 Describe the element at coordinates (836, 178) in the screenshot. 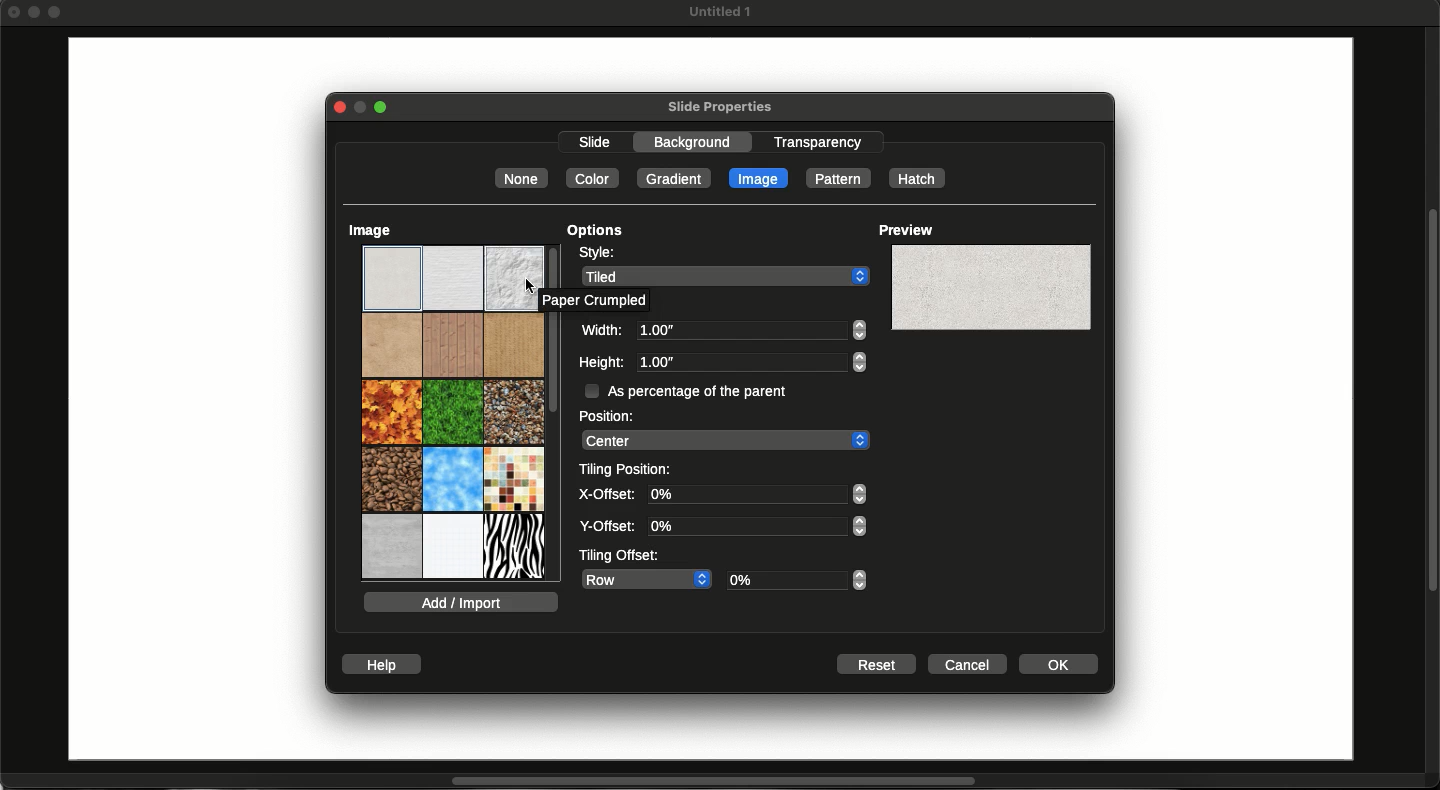

I see `Pattern` at that location.